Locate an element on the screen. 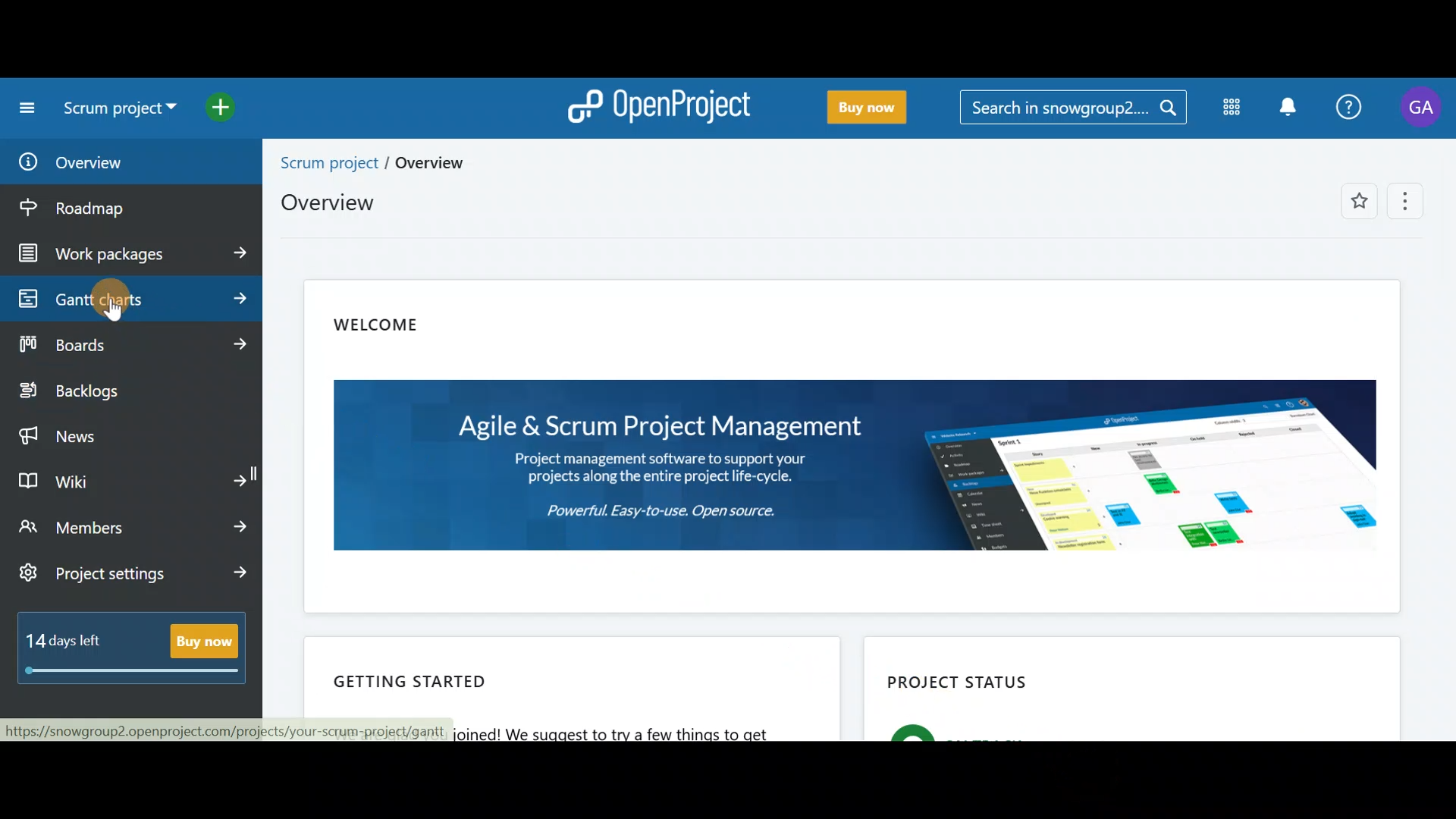  Account name is located at coordinates (1423, 111).